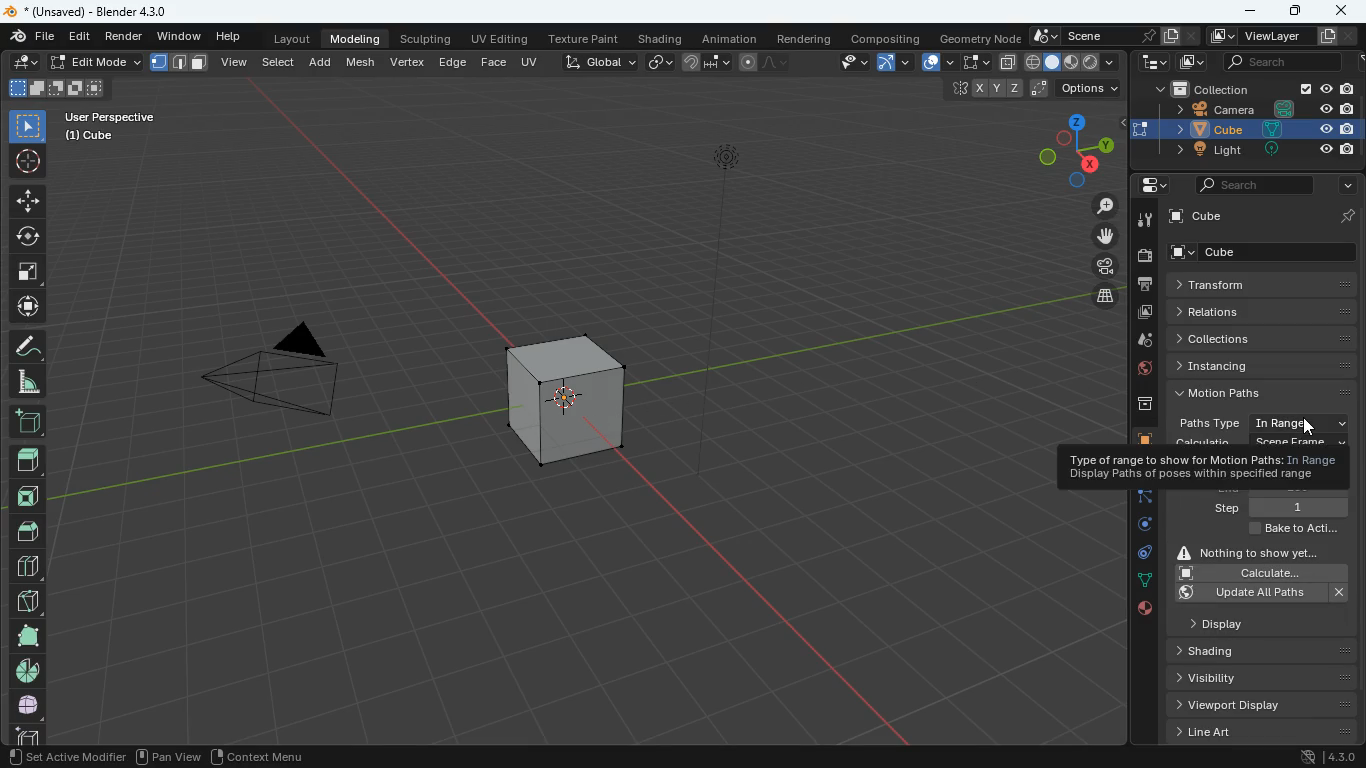 This screenshot has height=768, width=1366. Describe the element at coordinates (1142, 501) in the screenshot. I see `edge` at that location.